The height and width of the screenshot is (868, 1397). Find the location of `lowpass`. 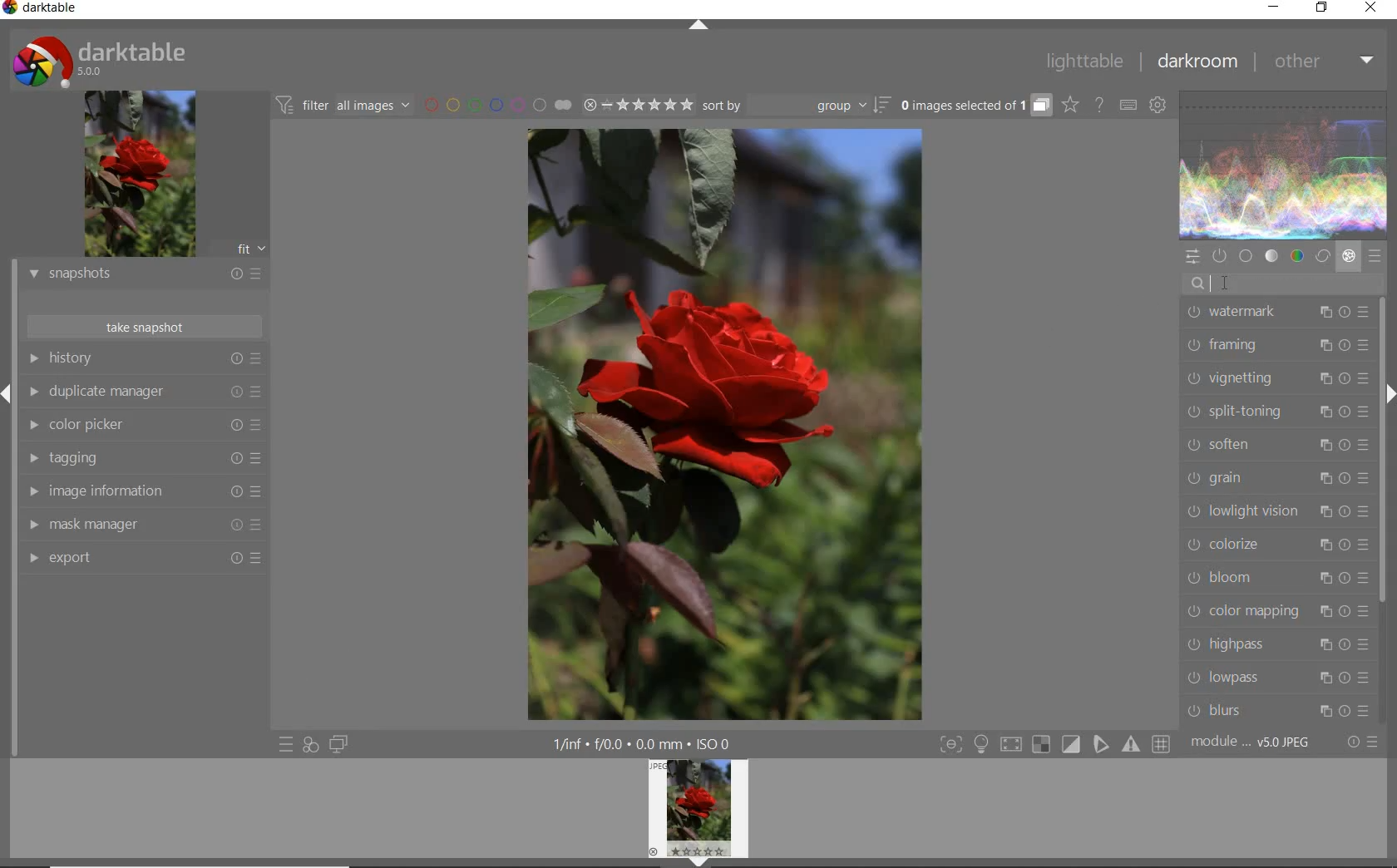

lowpass is located at coordinates (1275, 677).